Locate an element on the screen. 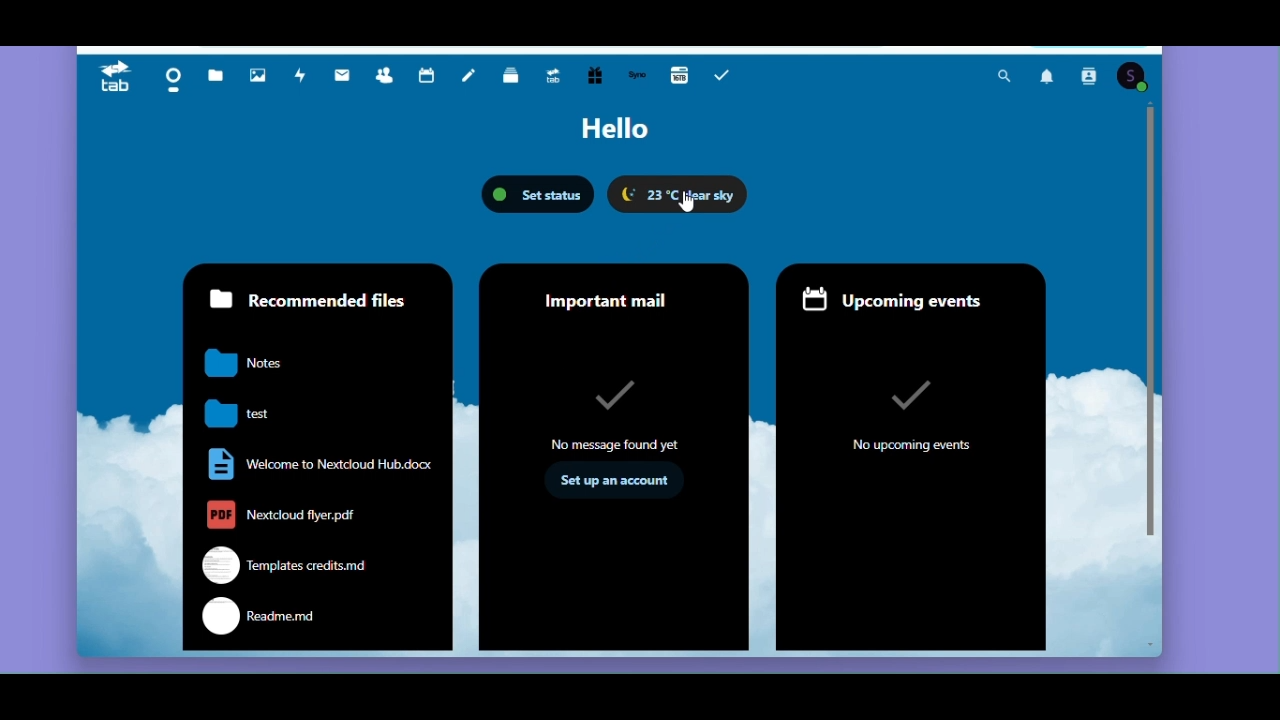 The width and height of the screenshot is (1280, 720). templates credits.md is located at coordinates (278, 564).